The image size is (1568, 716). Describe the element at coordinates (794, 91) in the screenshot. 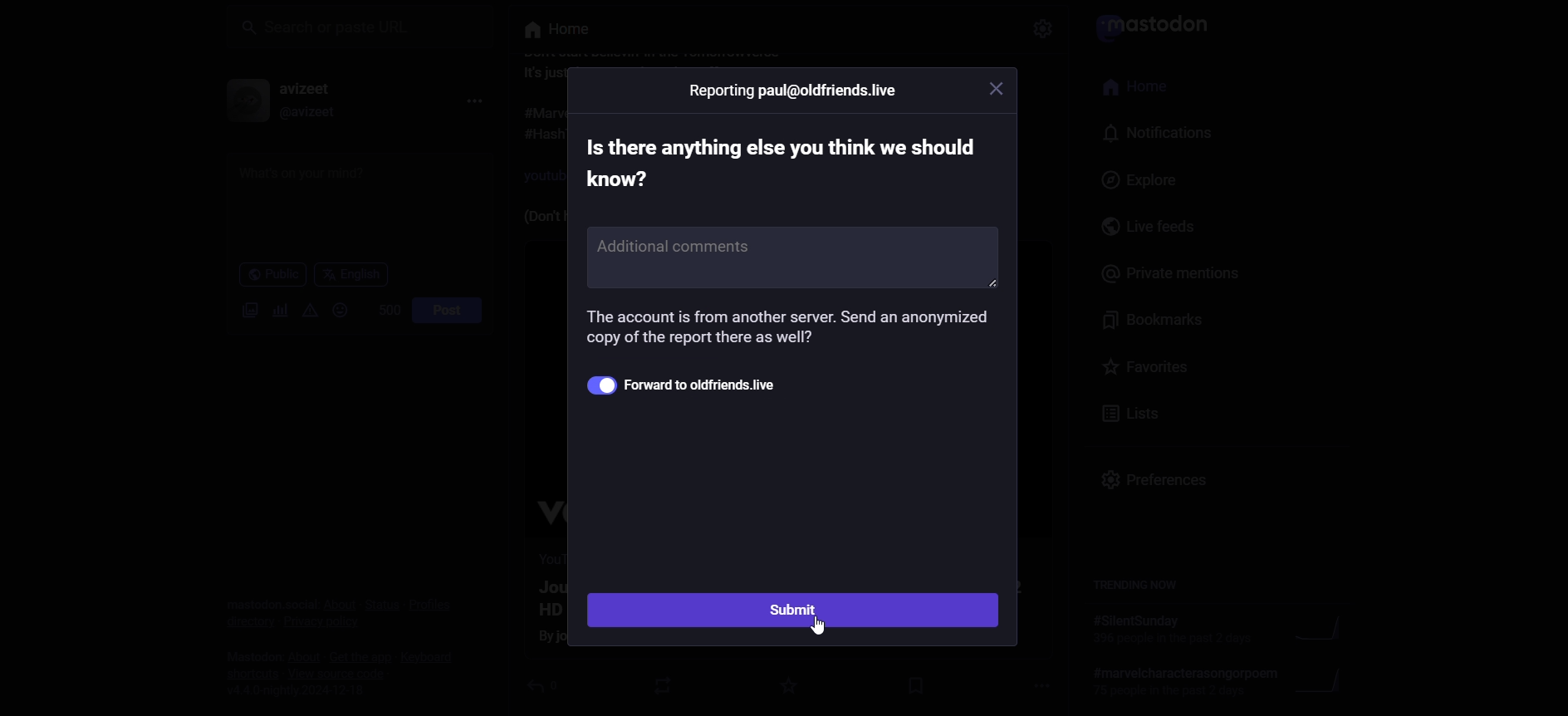

I see `` at that location.